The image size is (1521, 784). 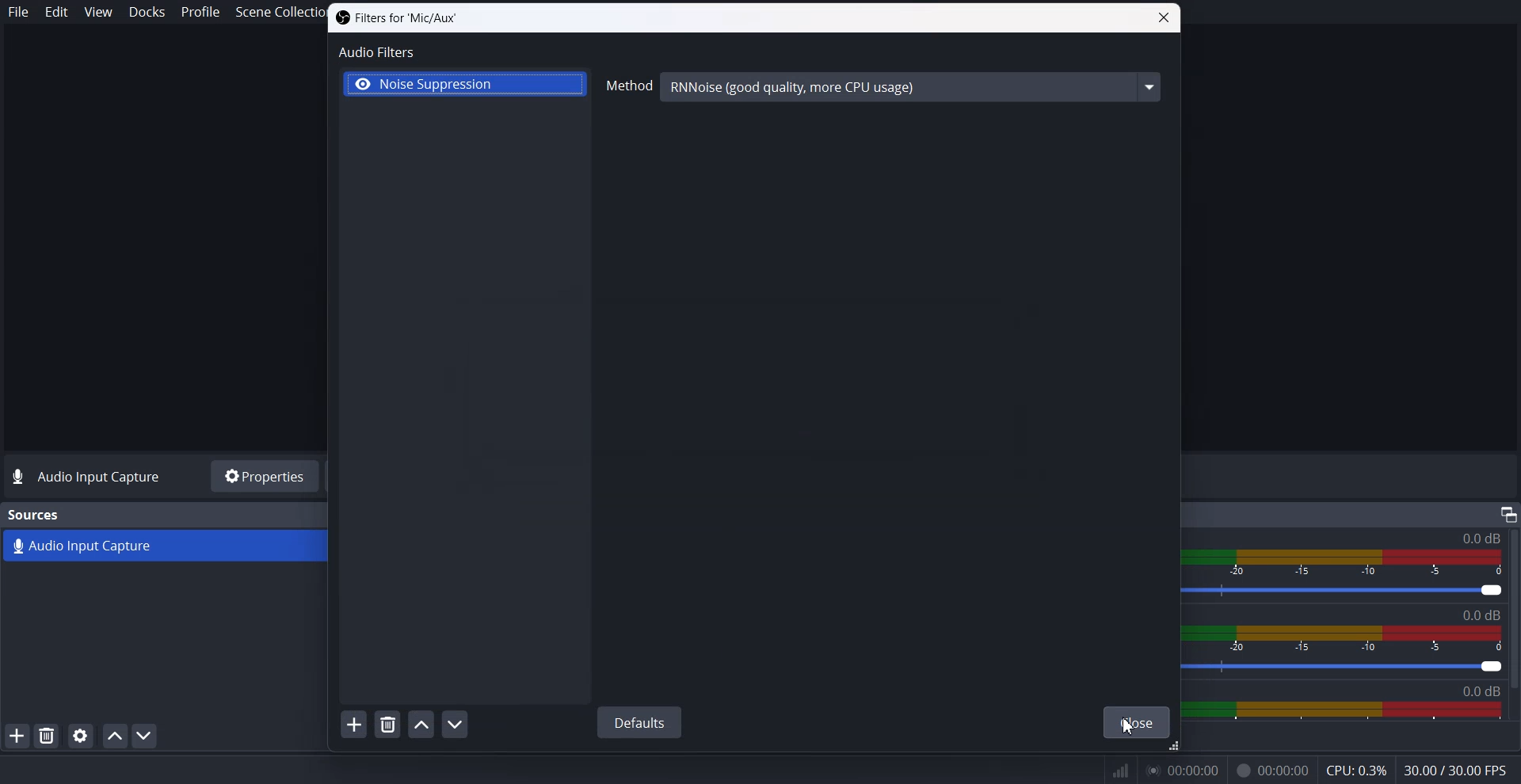 What do you see at coordinates (1492, 691) in the screenshot?
I see `0.00db` at bounding box center [1492, 691].